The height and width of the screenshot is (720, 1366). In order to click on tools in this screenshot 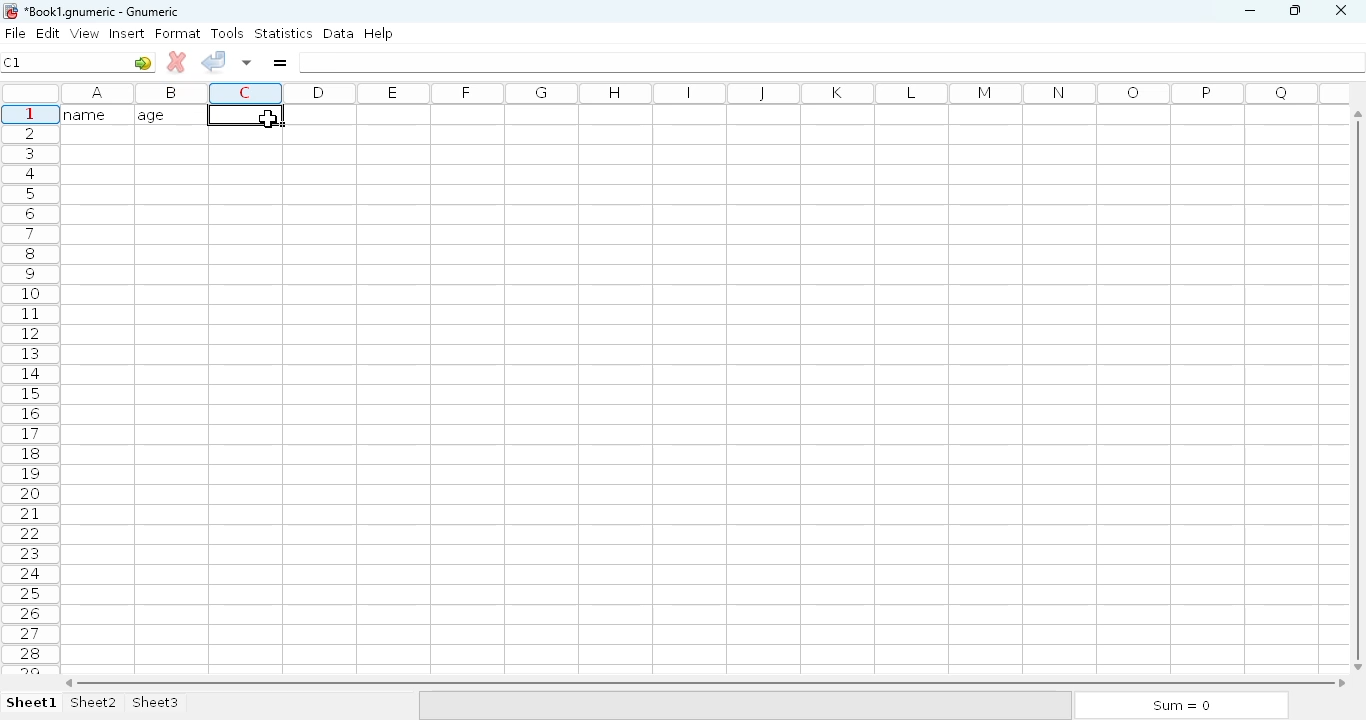, I will do `click(227, 33)`.